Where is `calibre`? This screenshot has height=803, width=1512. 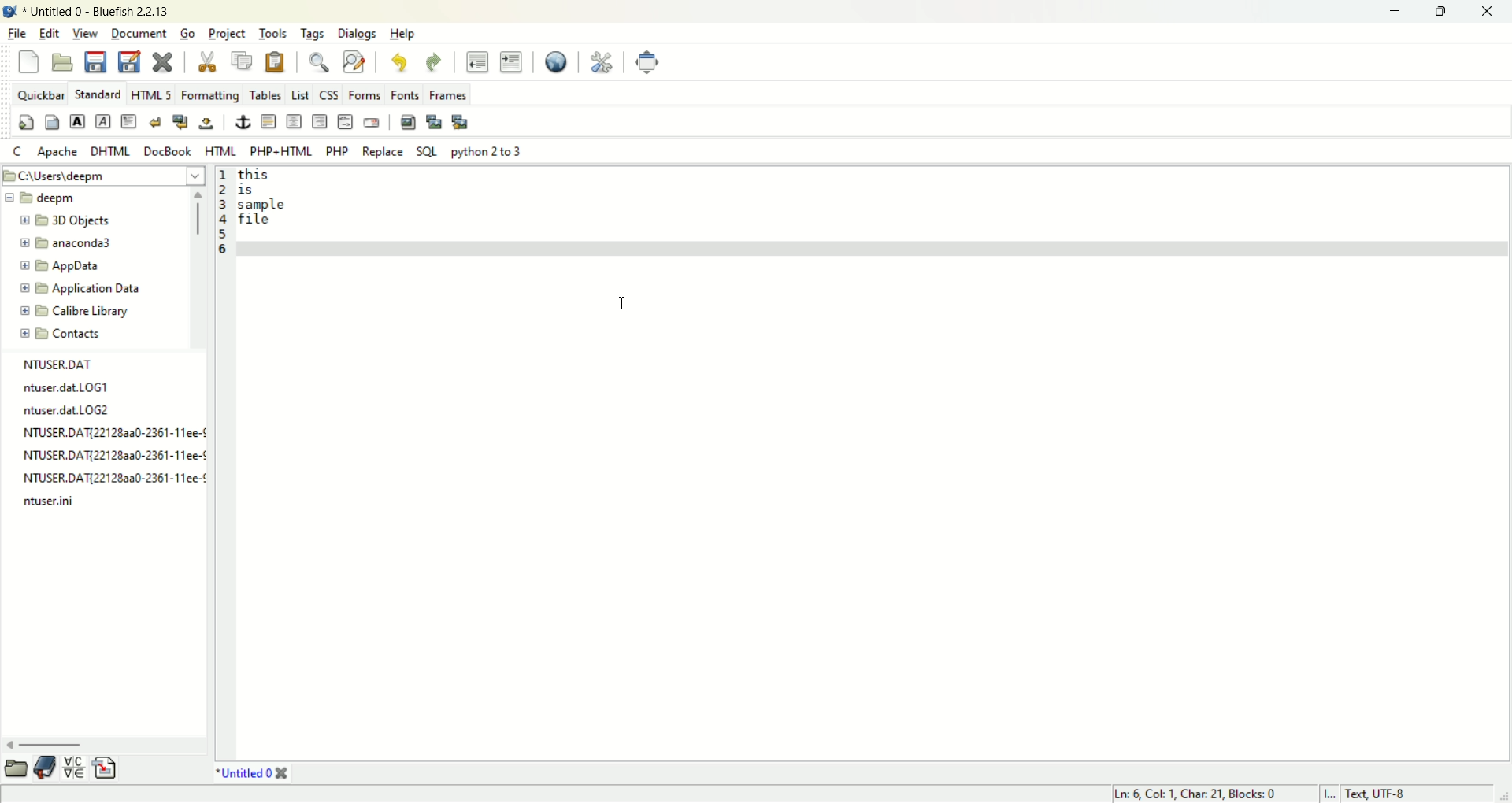
calibre is located at coordinates (74, 311).